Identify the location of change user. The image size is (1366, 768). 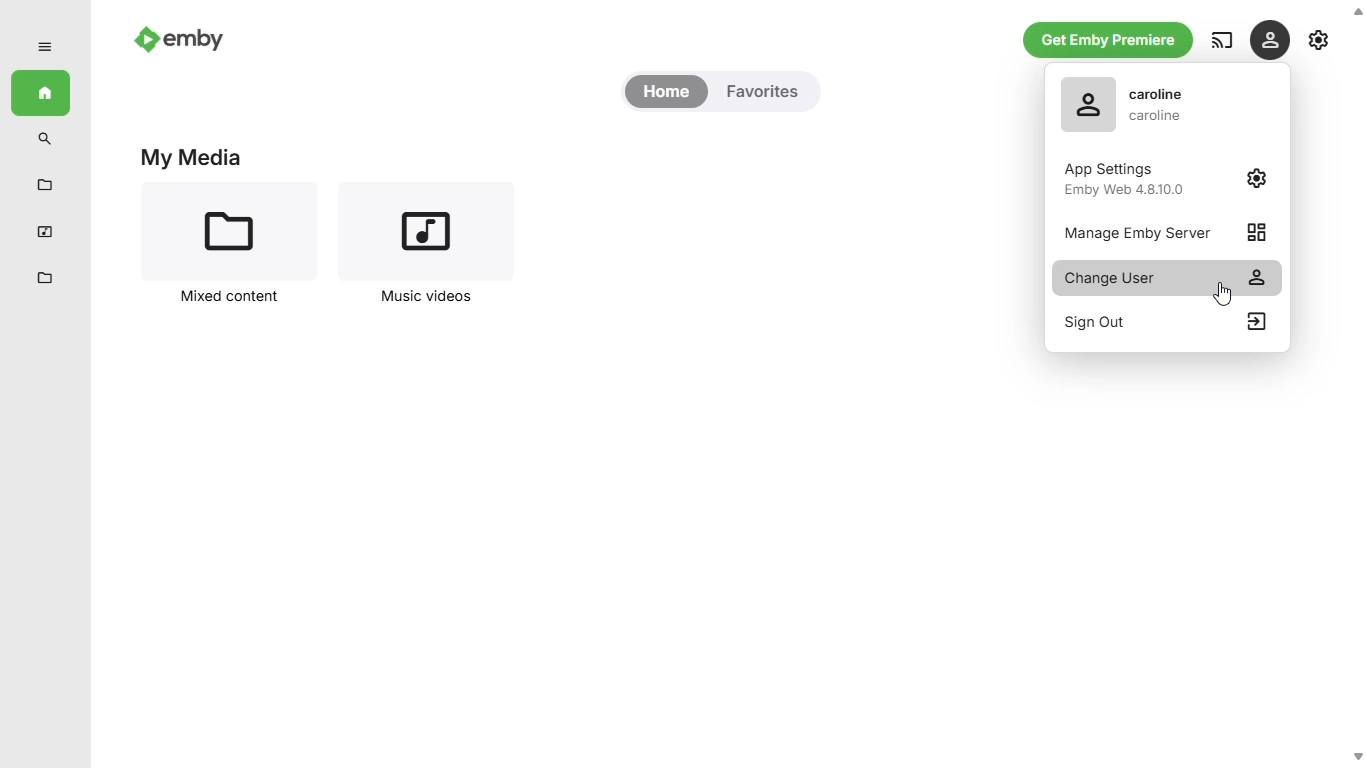
(1168, 278).